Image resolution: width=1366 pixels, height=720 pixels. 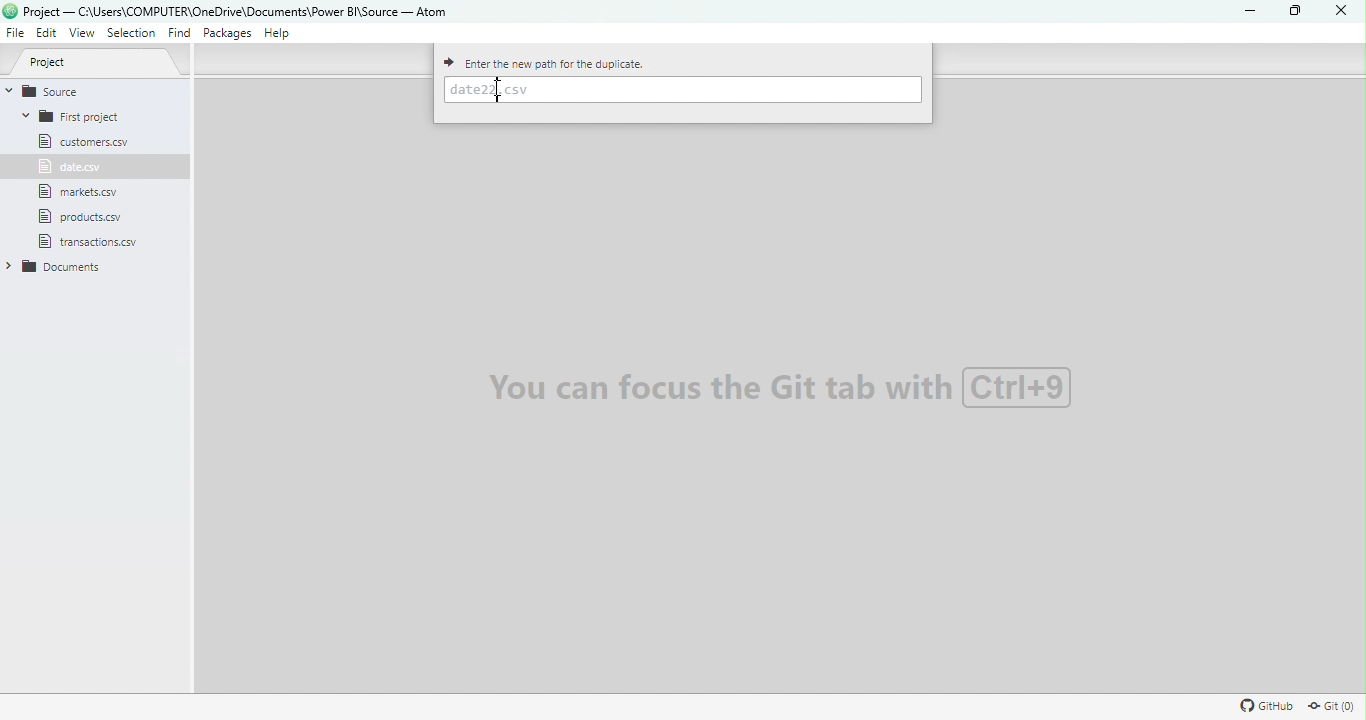 I want to click on Help, so click(x=280, y=36).